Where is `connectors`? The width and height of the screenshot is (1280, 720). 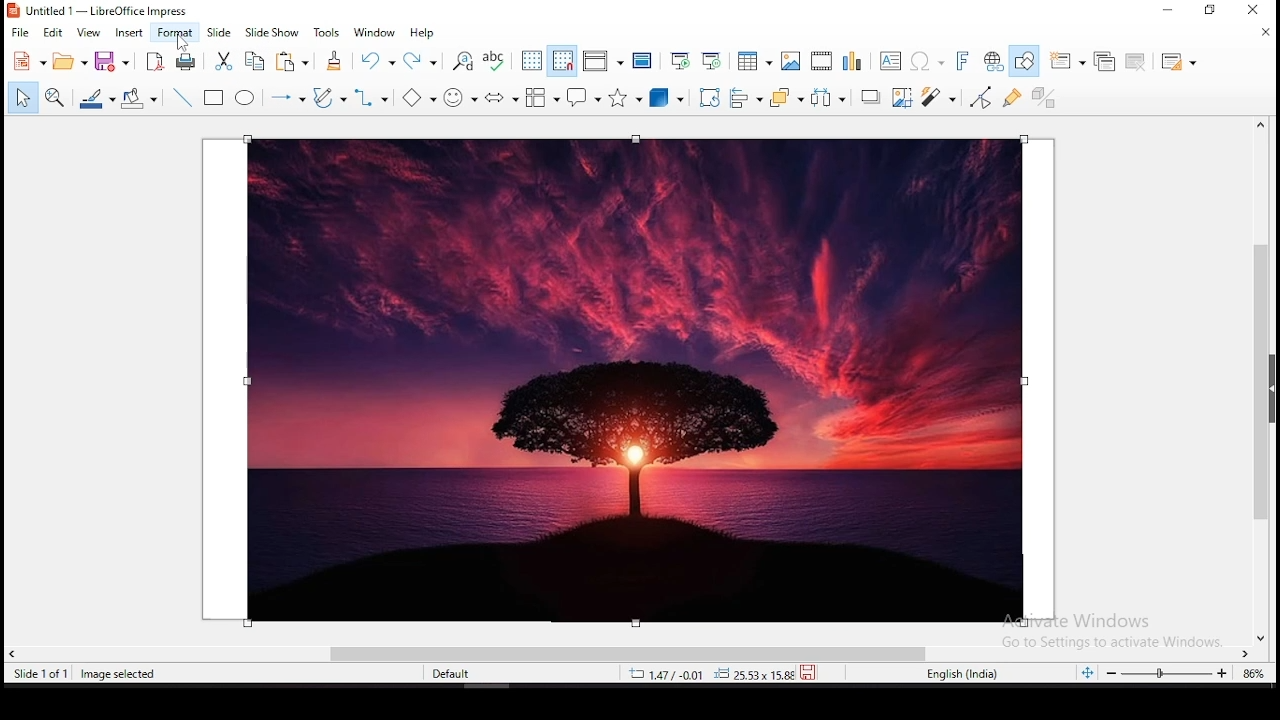
connectors is located at coordinates (372, 99).